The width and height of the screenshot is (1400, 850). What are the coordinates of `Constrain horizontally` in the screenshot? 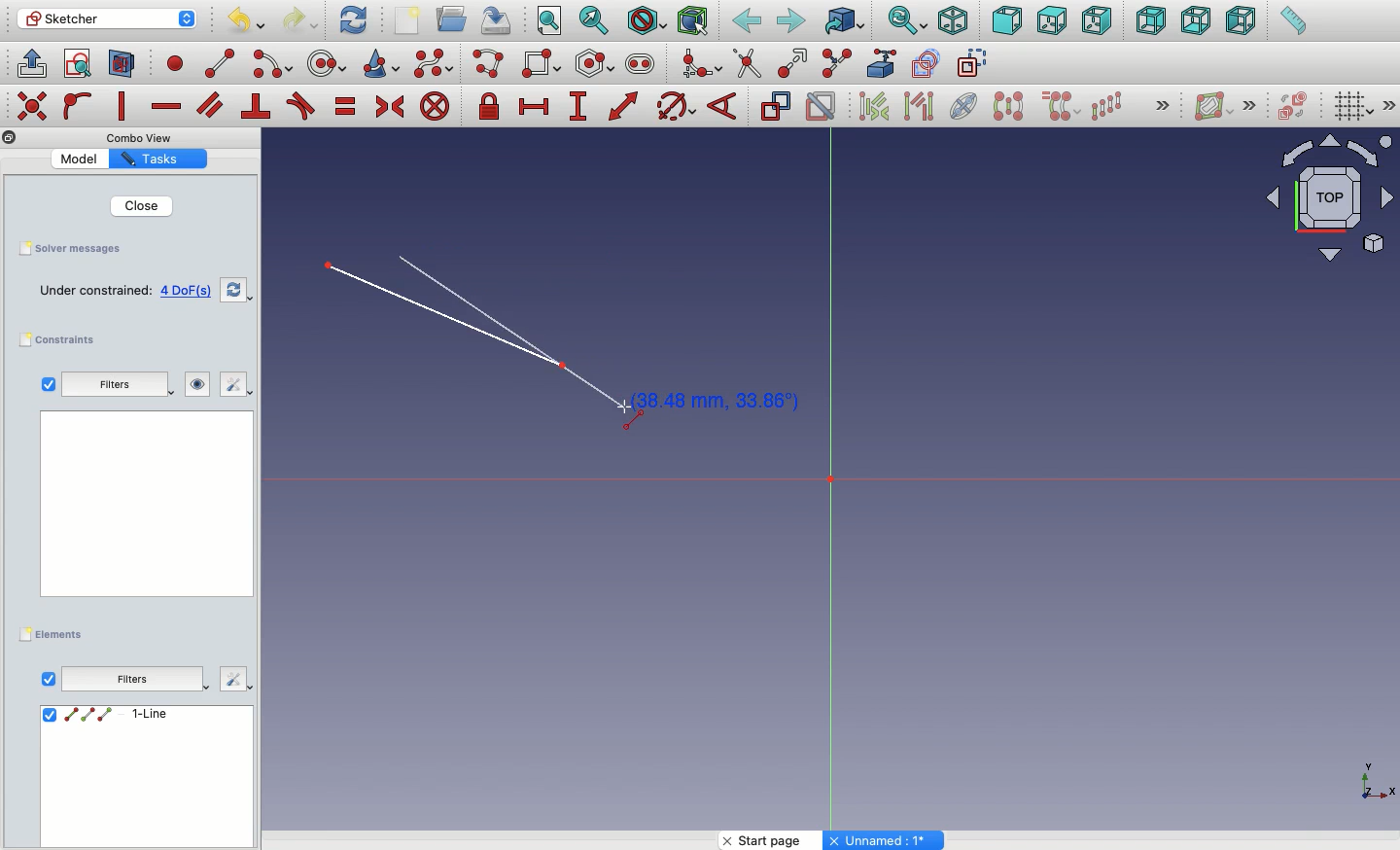 It's located at (165, 108).